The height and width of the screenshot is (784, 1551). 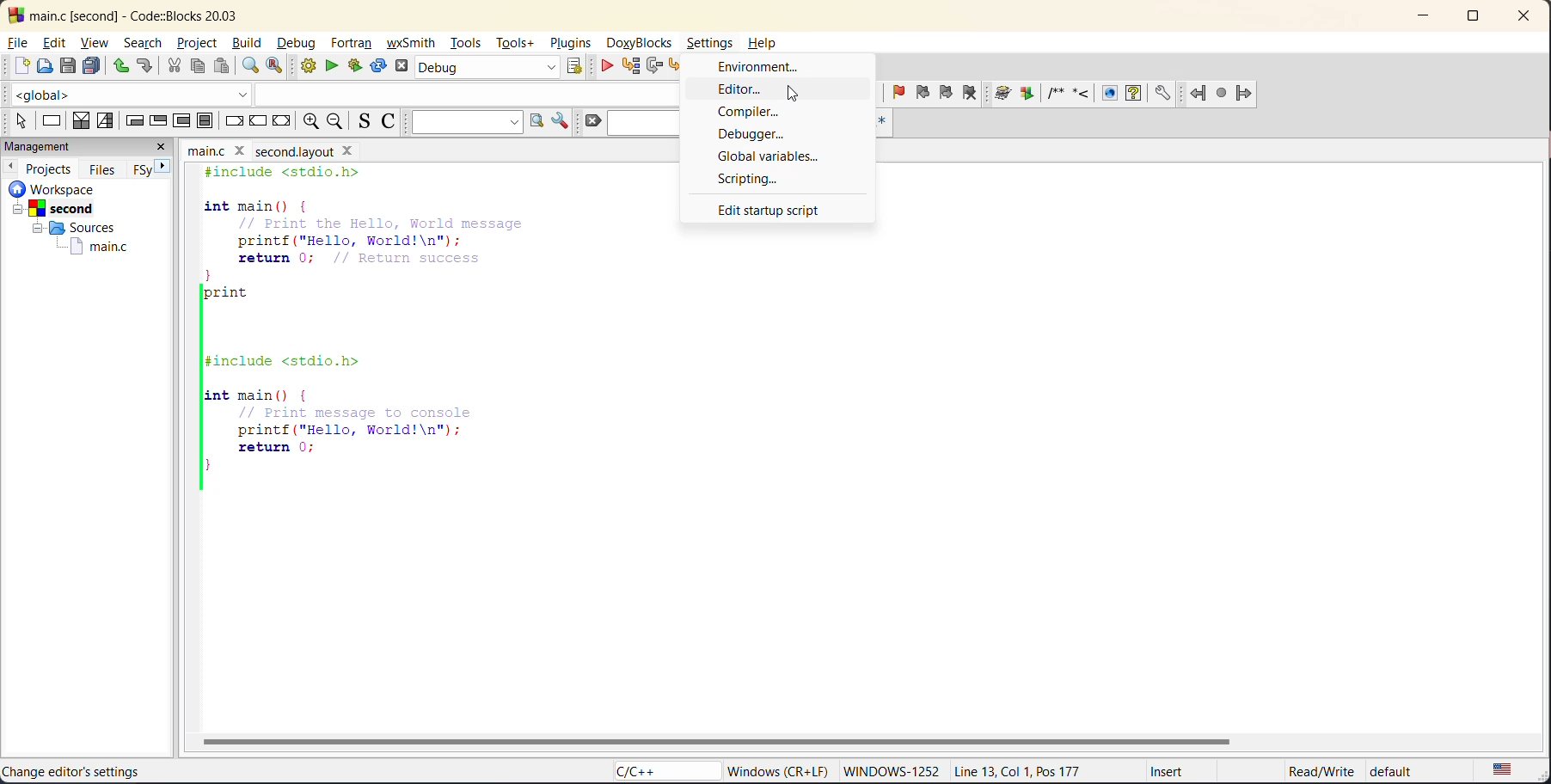 What do you see at coordinates (768, 154) in the screenshot?
I see `global variables` at bounding box center [768, 154].